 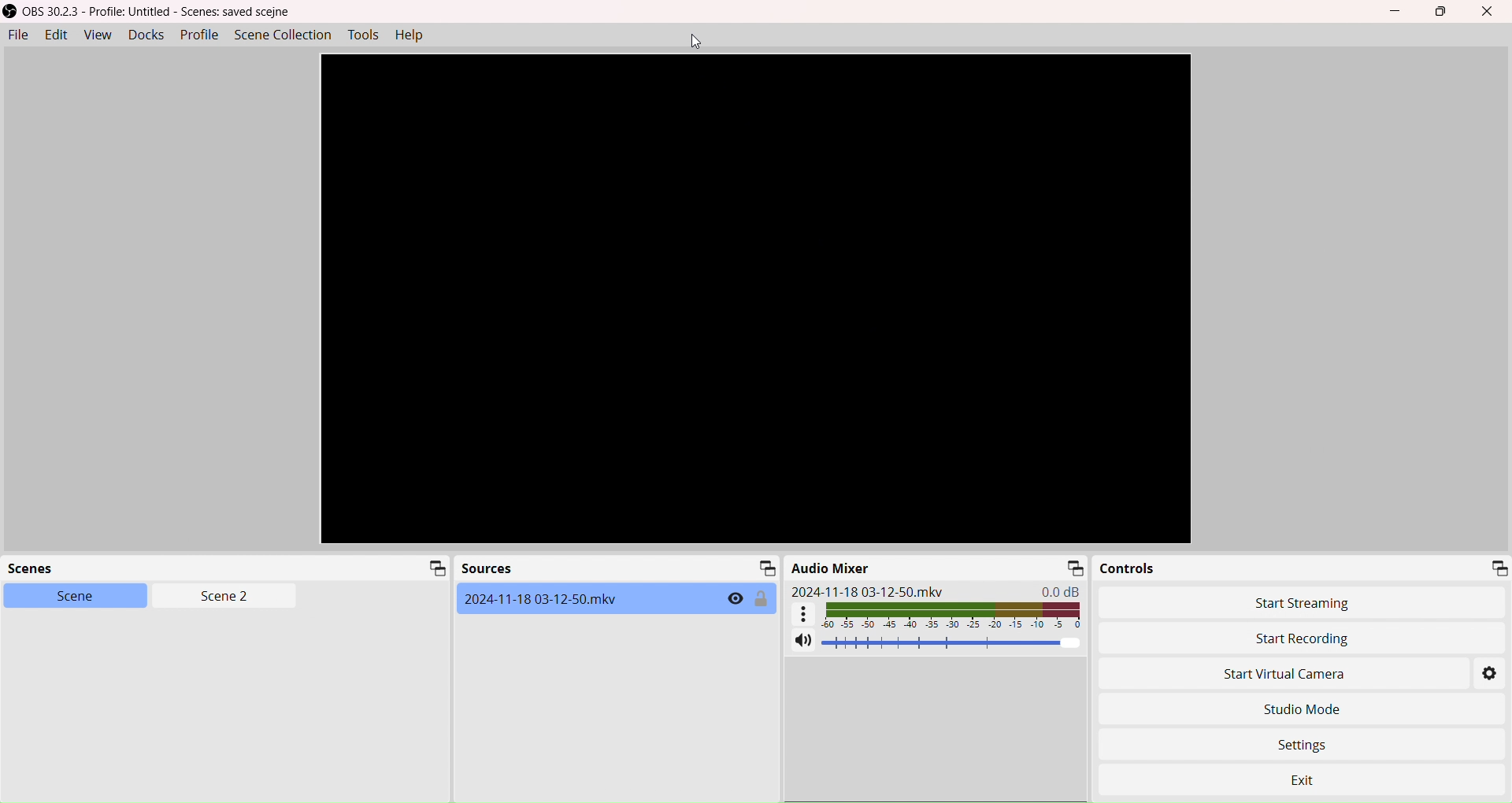 What do you see at coordinates (65, 595) in the screenshot?
I see `Scene` at bounding box center [65, 595].